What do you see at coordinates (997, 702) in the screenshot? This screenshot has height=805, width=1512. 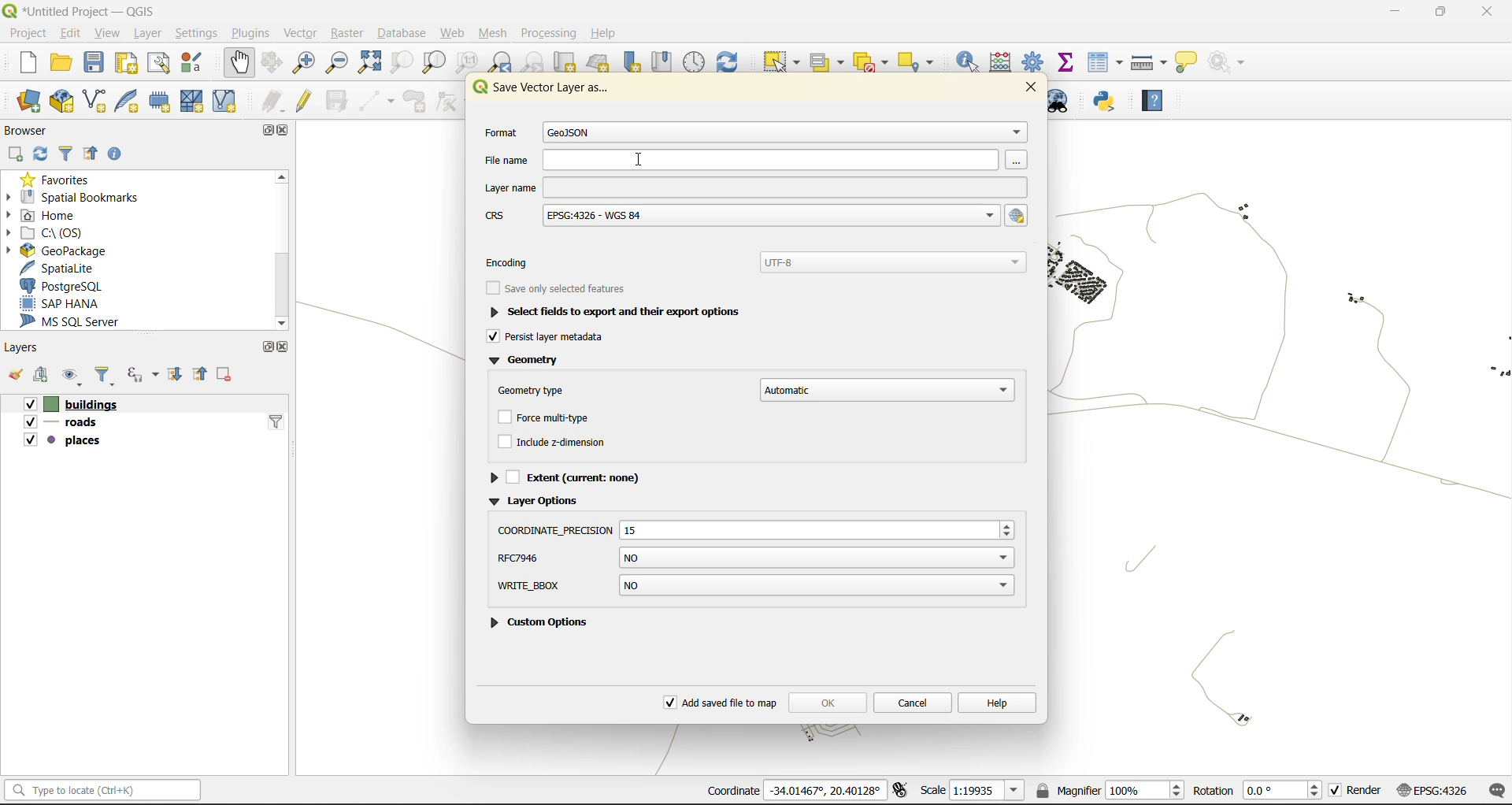 I see `help` at bounding box center [997, 702].